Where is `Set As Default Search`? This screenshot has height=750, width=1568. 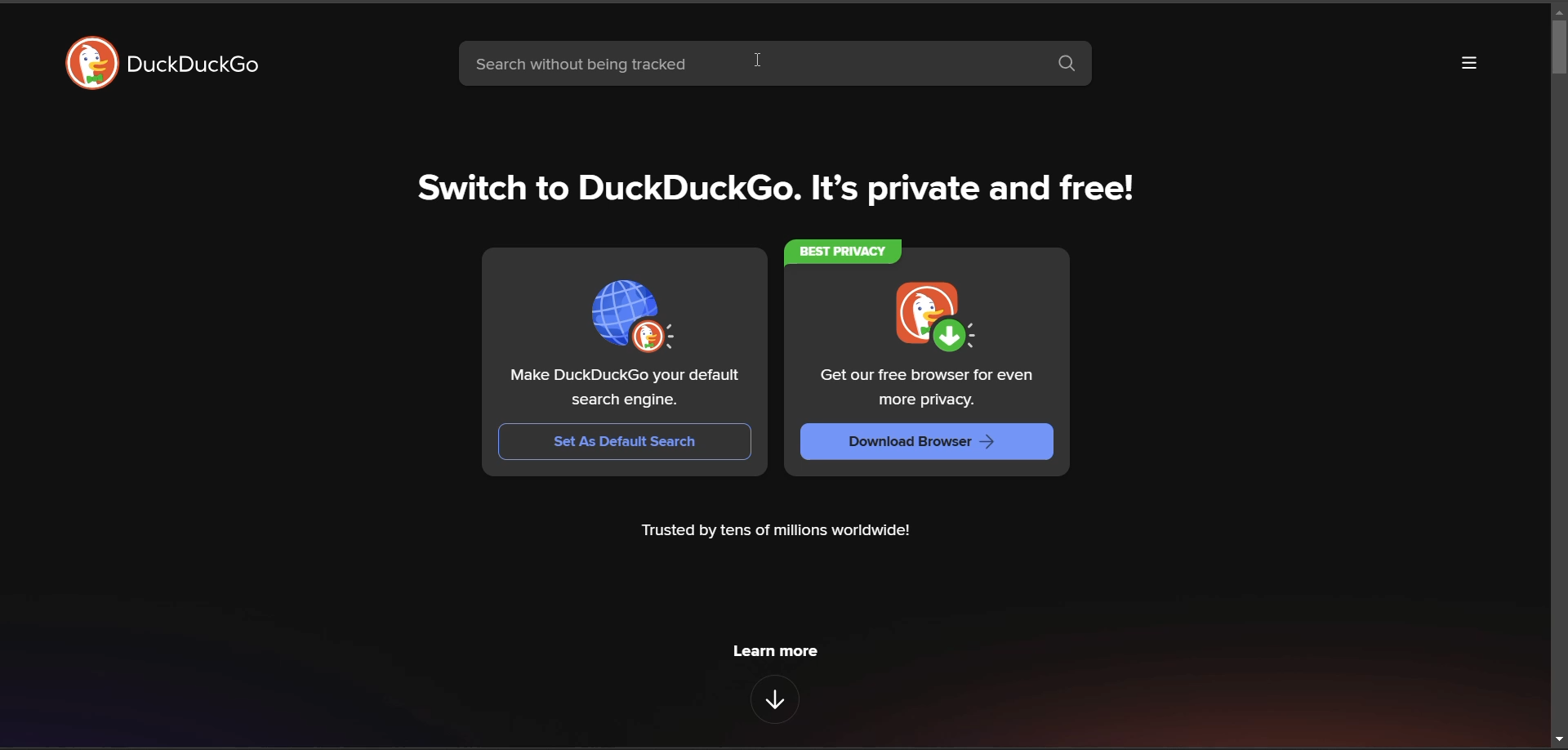 Set As Default Search is located at coordinates (626, 440).